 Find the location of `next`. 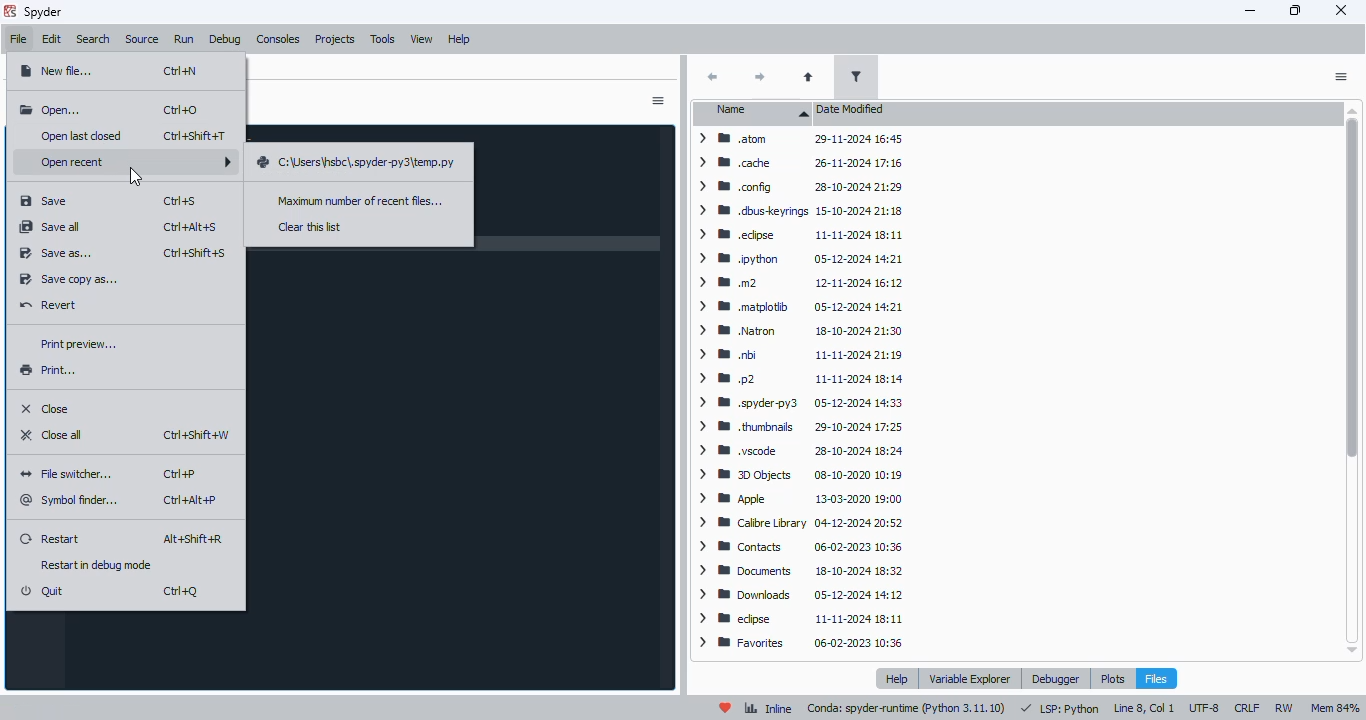

next is located at coordinates (759, 77).